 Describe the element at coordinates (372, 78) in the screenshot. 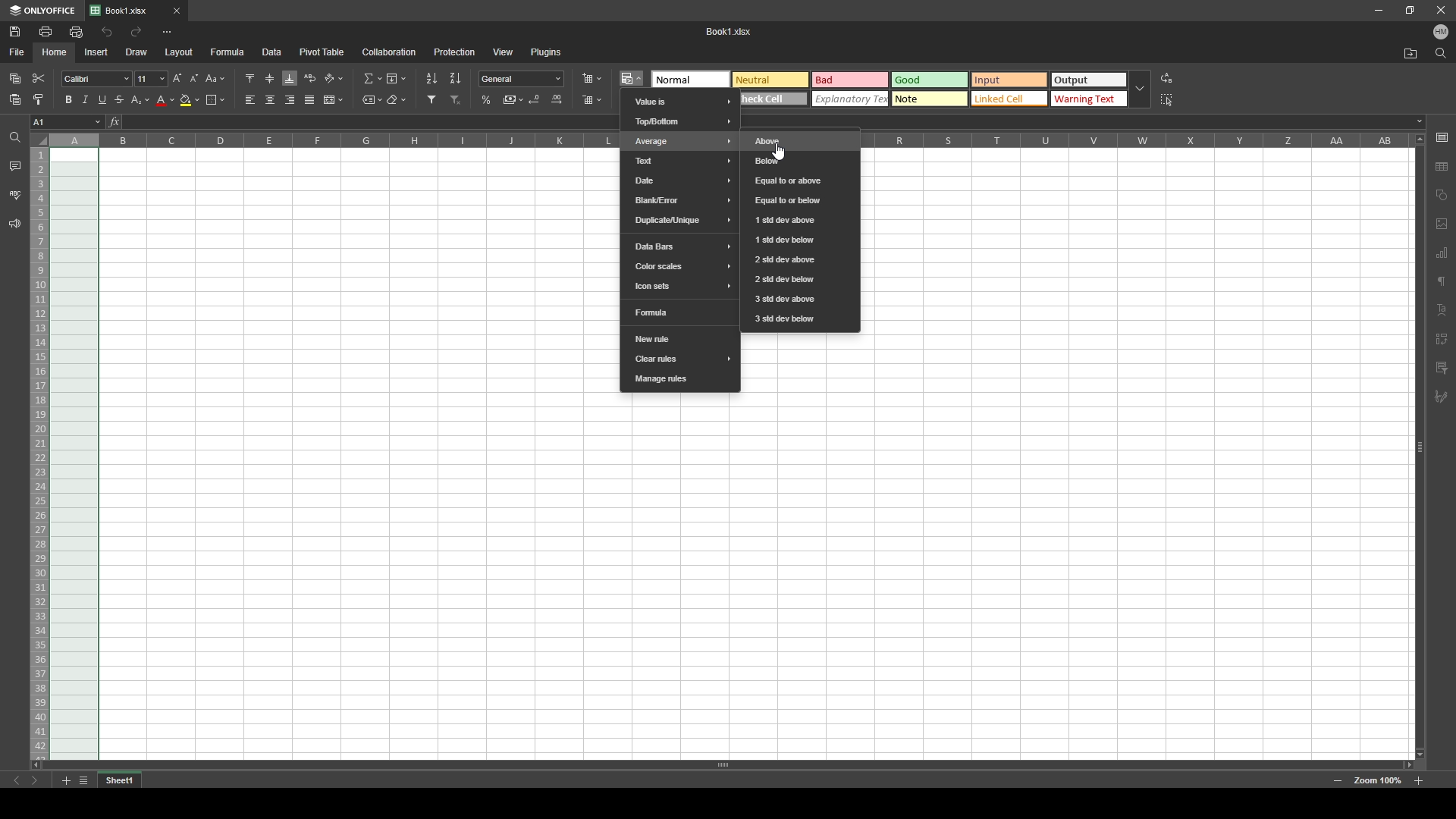

I see `summation` at that location.